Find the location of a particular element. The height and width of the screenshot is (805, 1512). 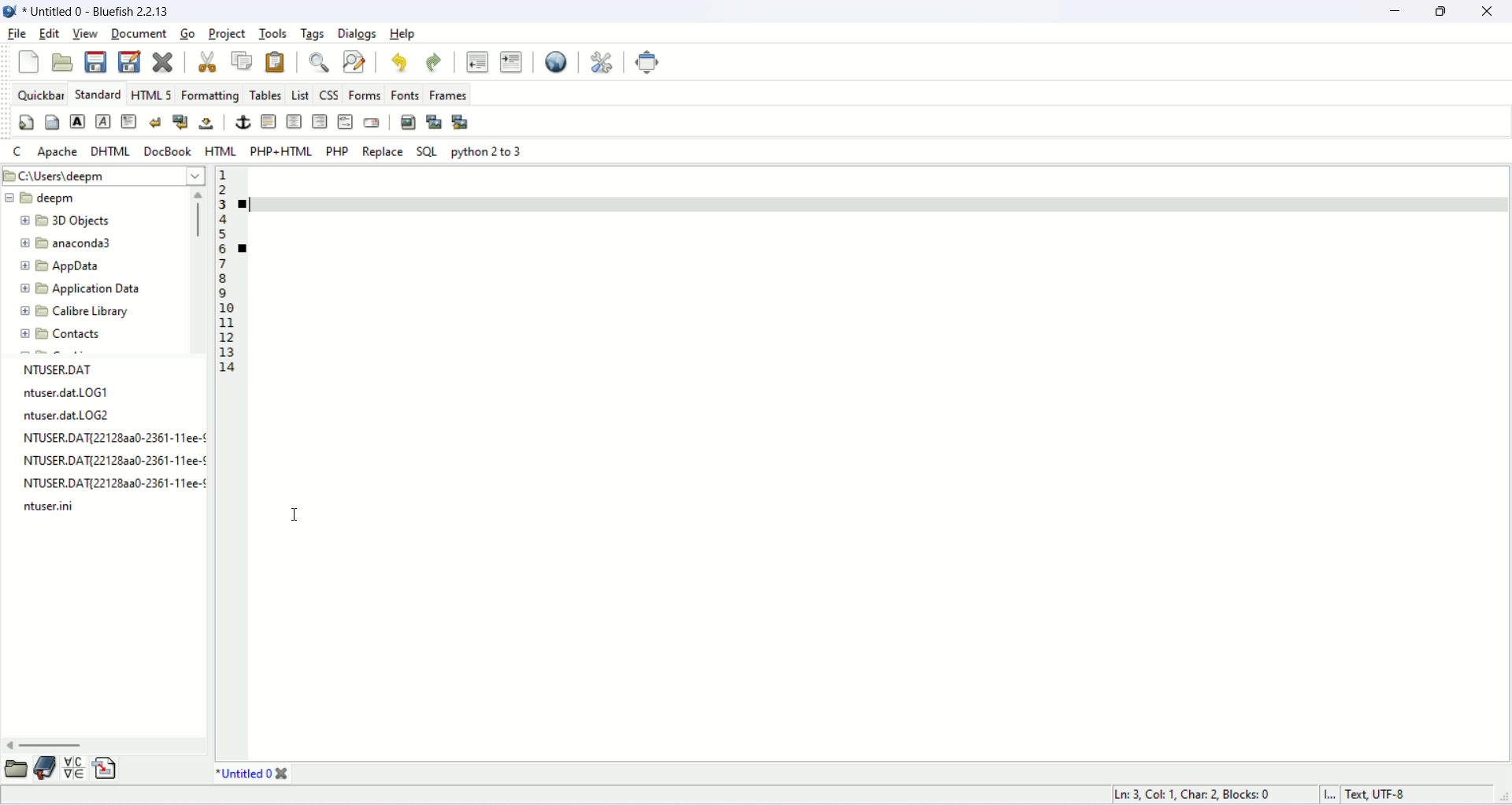

view in browser is located at coordinates (556, 61).